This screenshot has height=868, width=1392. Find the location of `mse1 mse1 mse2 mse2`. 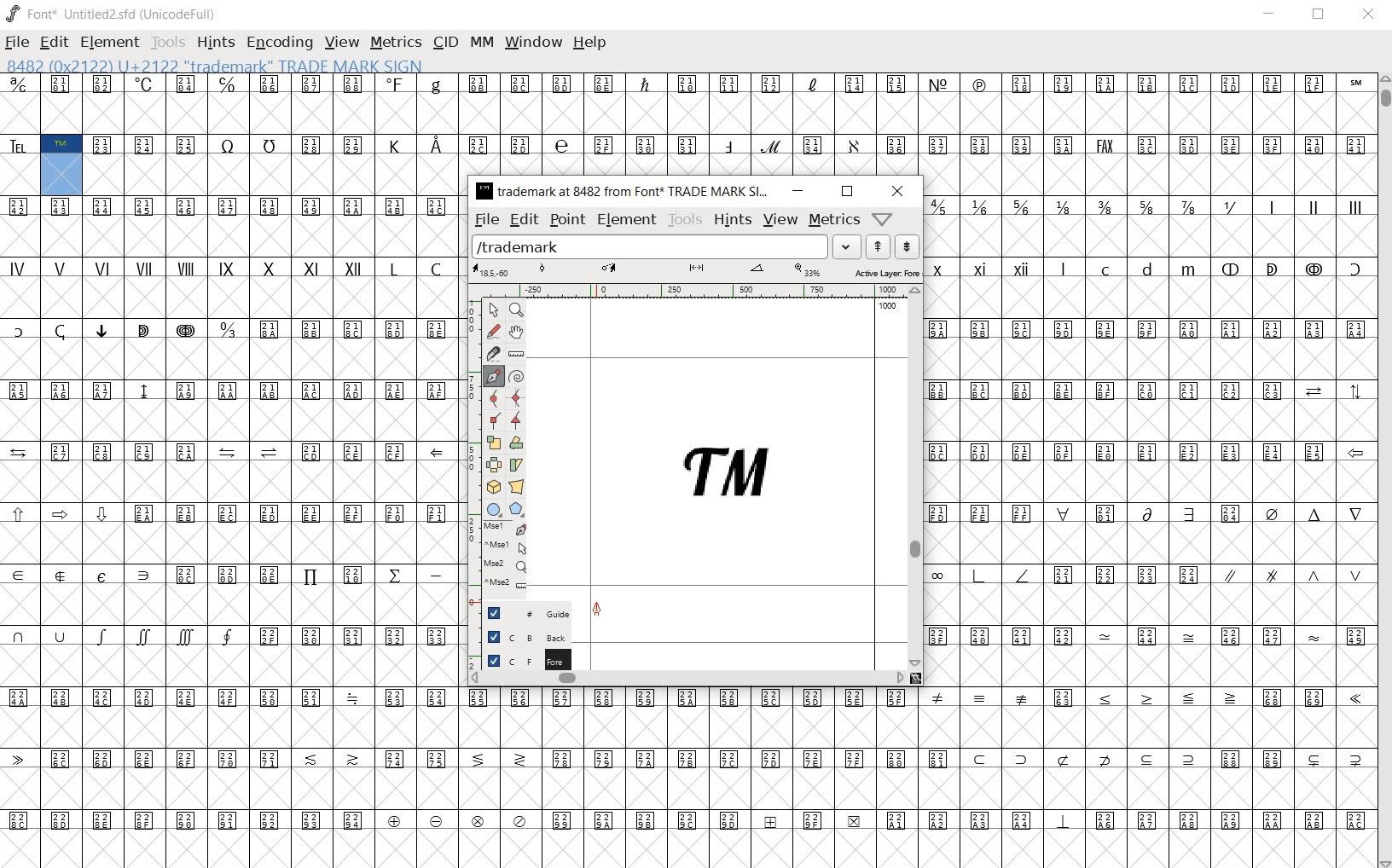

mse1 mse1 mse2 mse2 is located at coordinates (503, 557).